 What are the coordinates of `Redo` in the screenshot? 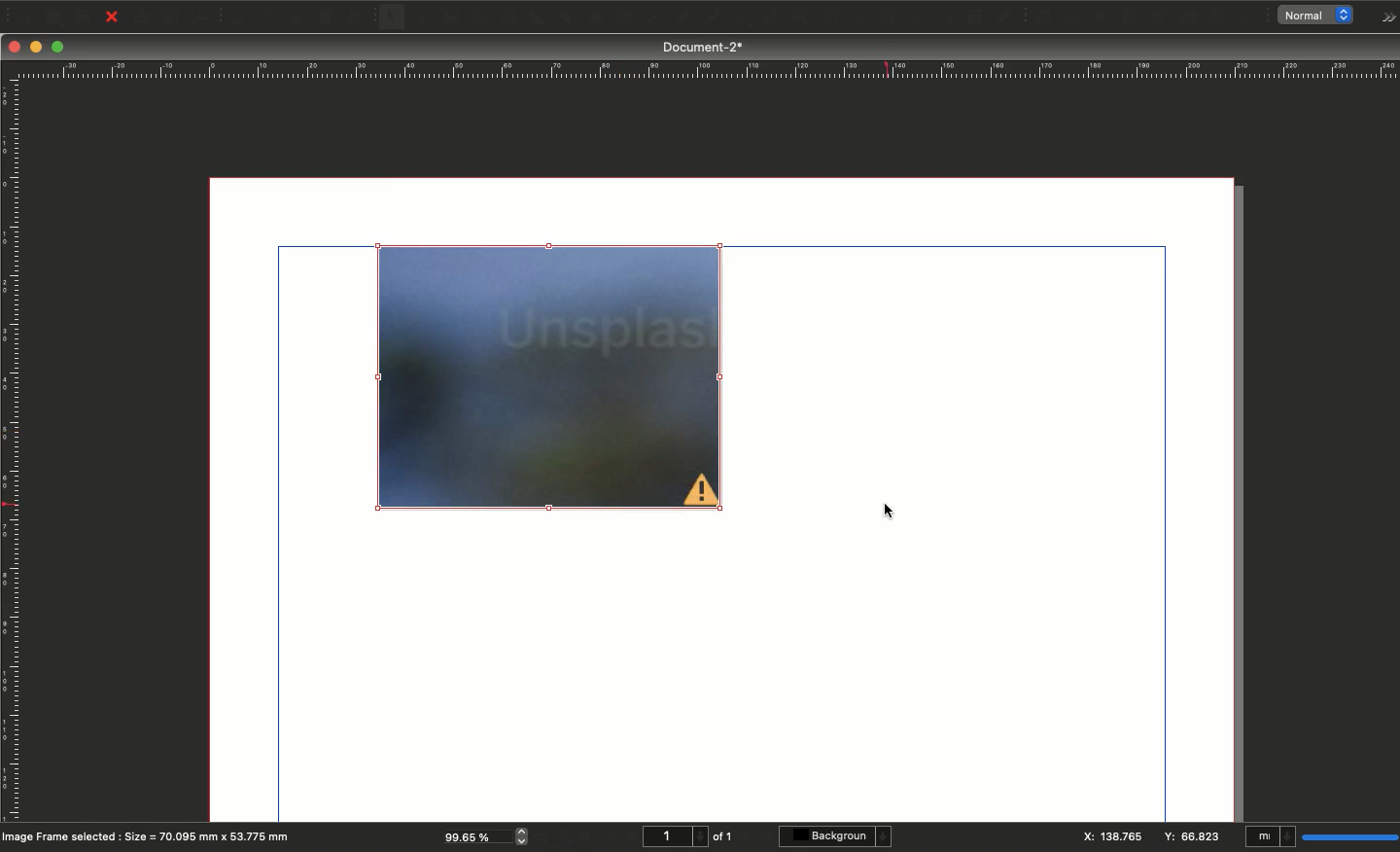 It's located at (267, 18).